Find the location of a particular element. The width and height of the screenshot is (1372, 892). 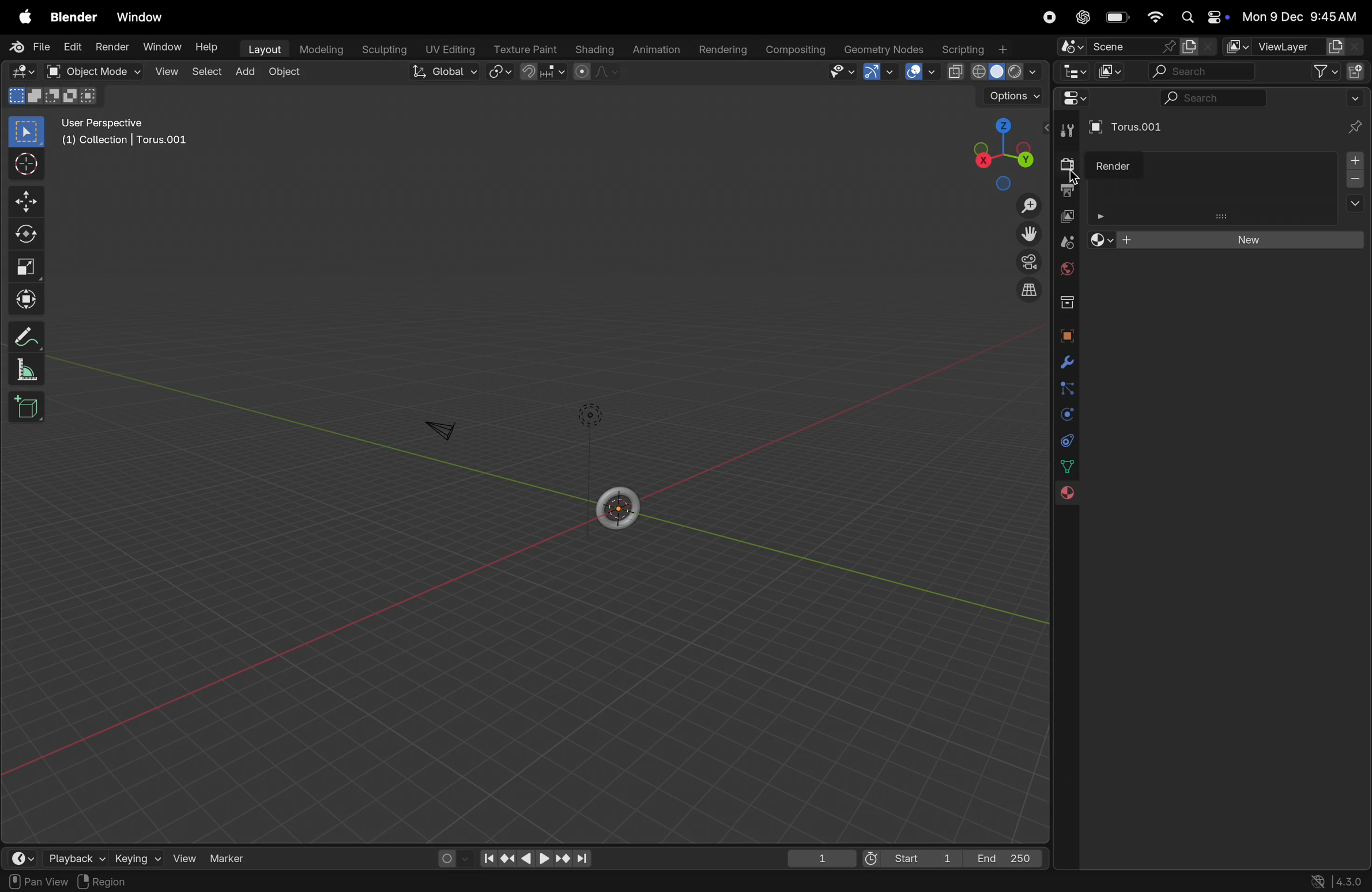

orthogonal view is located at coordinates (1032, 294).